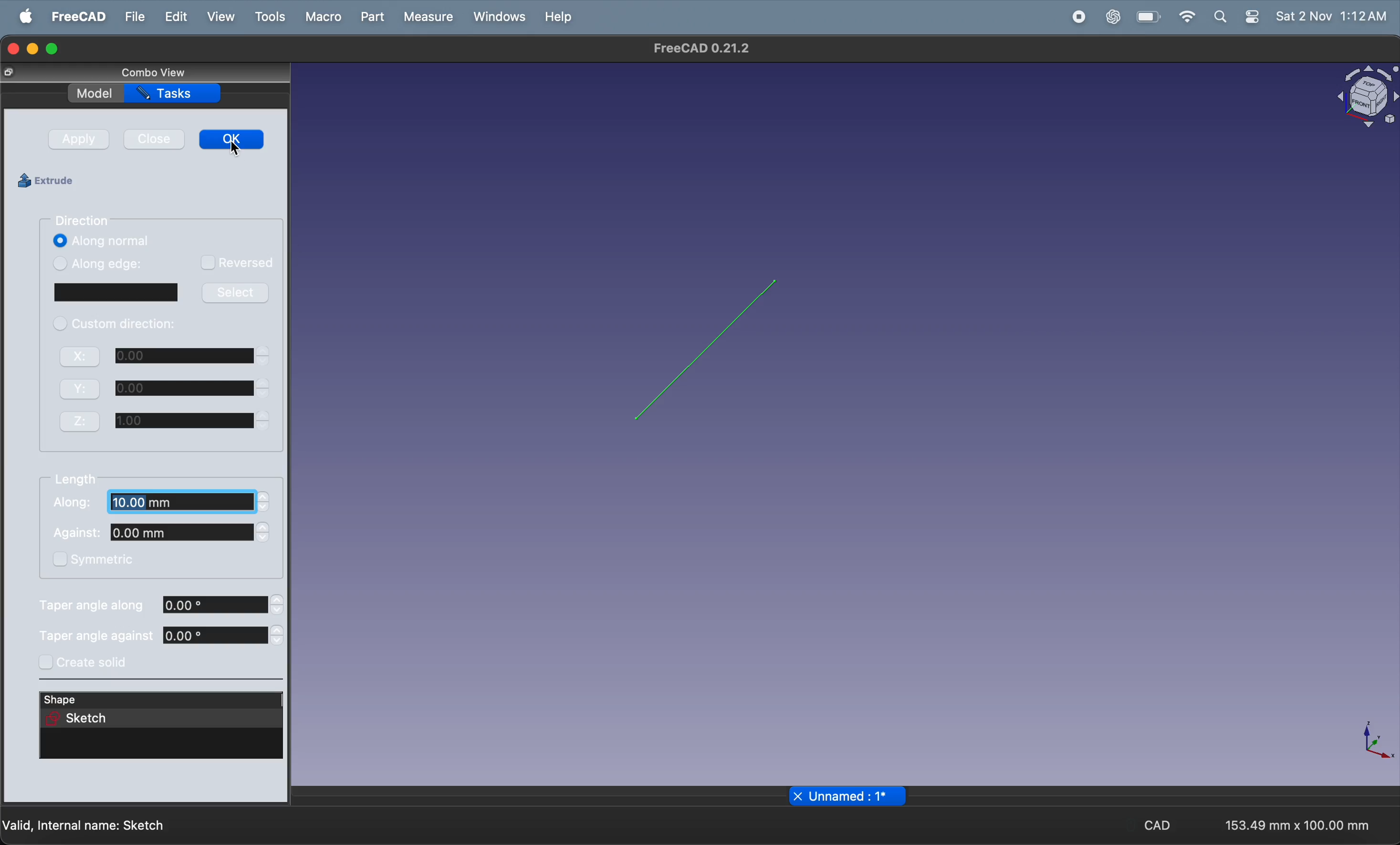 This screenshot has width=1400, height=845. I want to click on Y:, so click(81, 390).